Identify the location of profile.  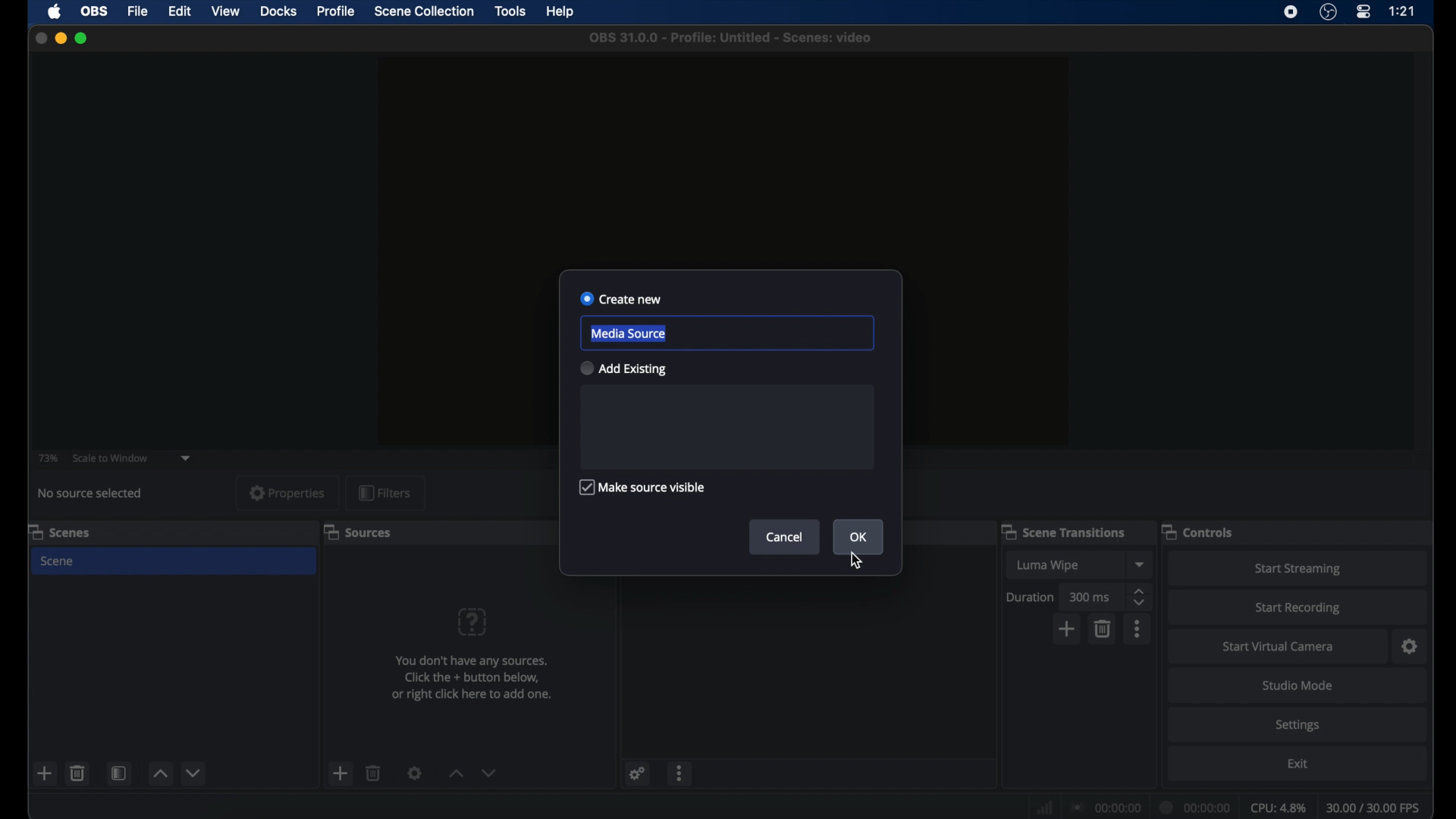
(337, 11).